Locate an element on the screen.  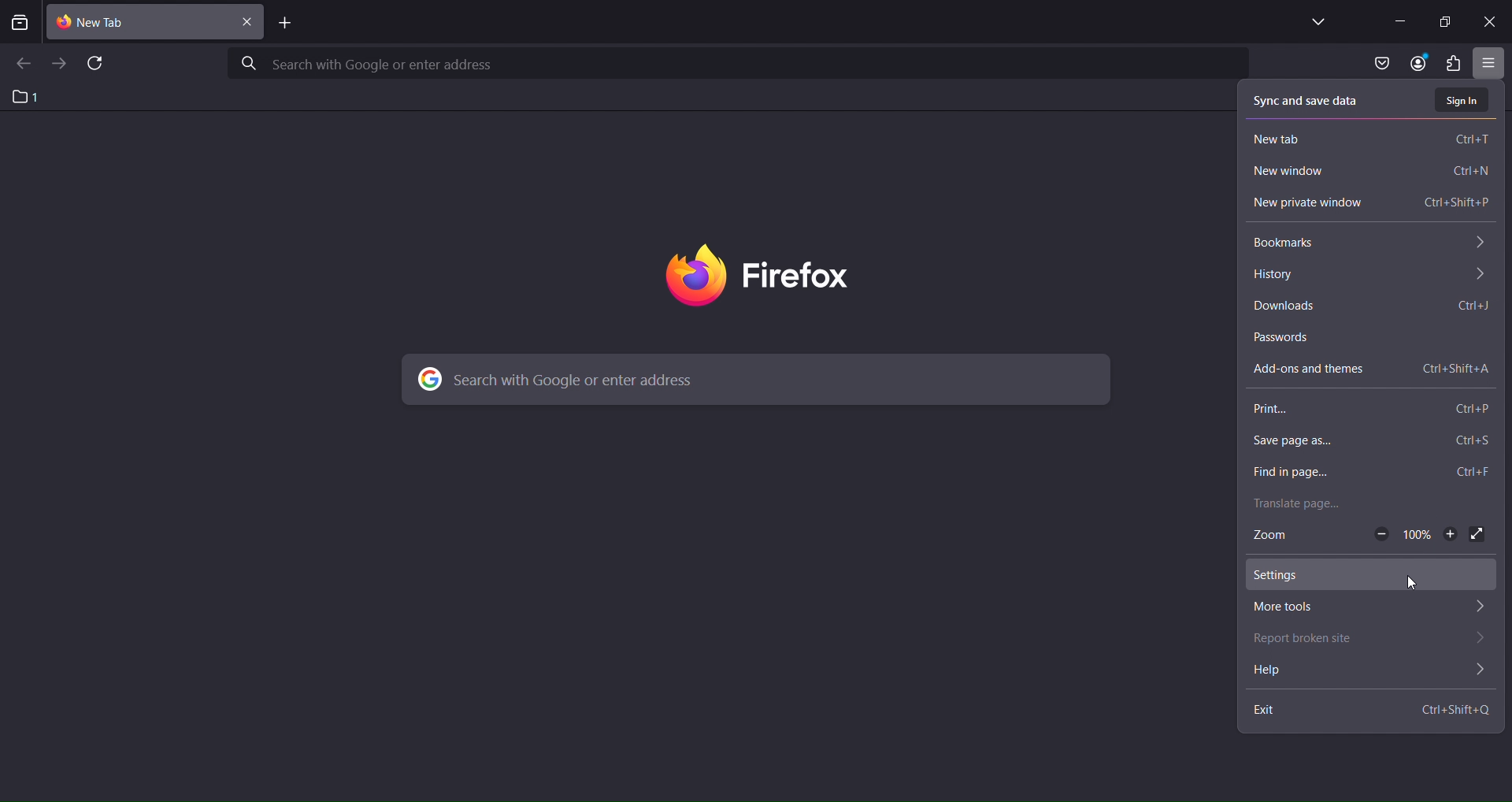
bookmarks is located at coordinates (1369, 243).